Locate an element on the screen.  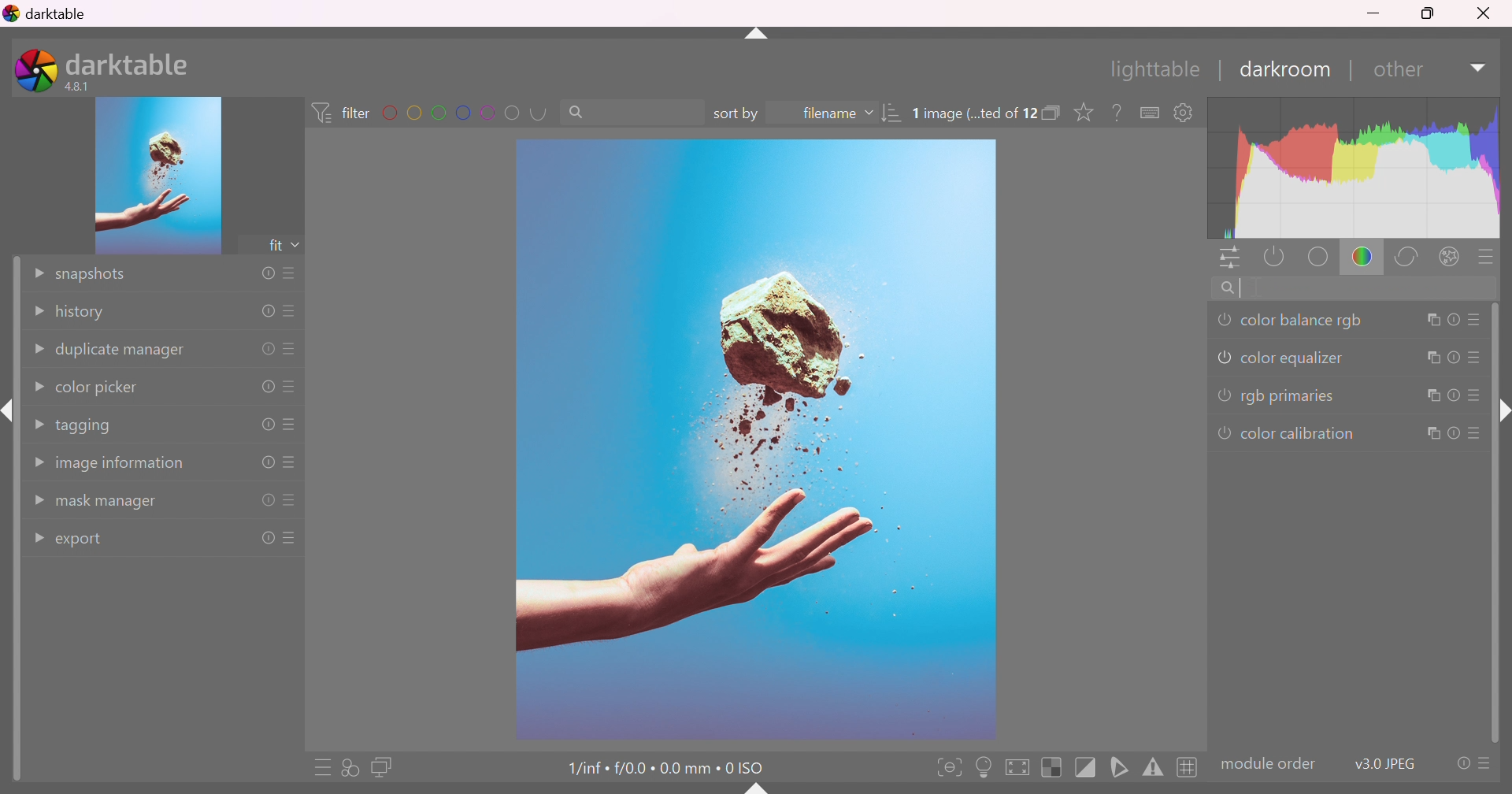
snapshots is located at coordinates (94, 276).